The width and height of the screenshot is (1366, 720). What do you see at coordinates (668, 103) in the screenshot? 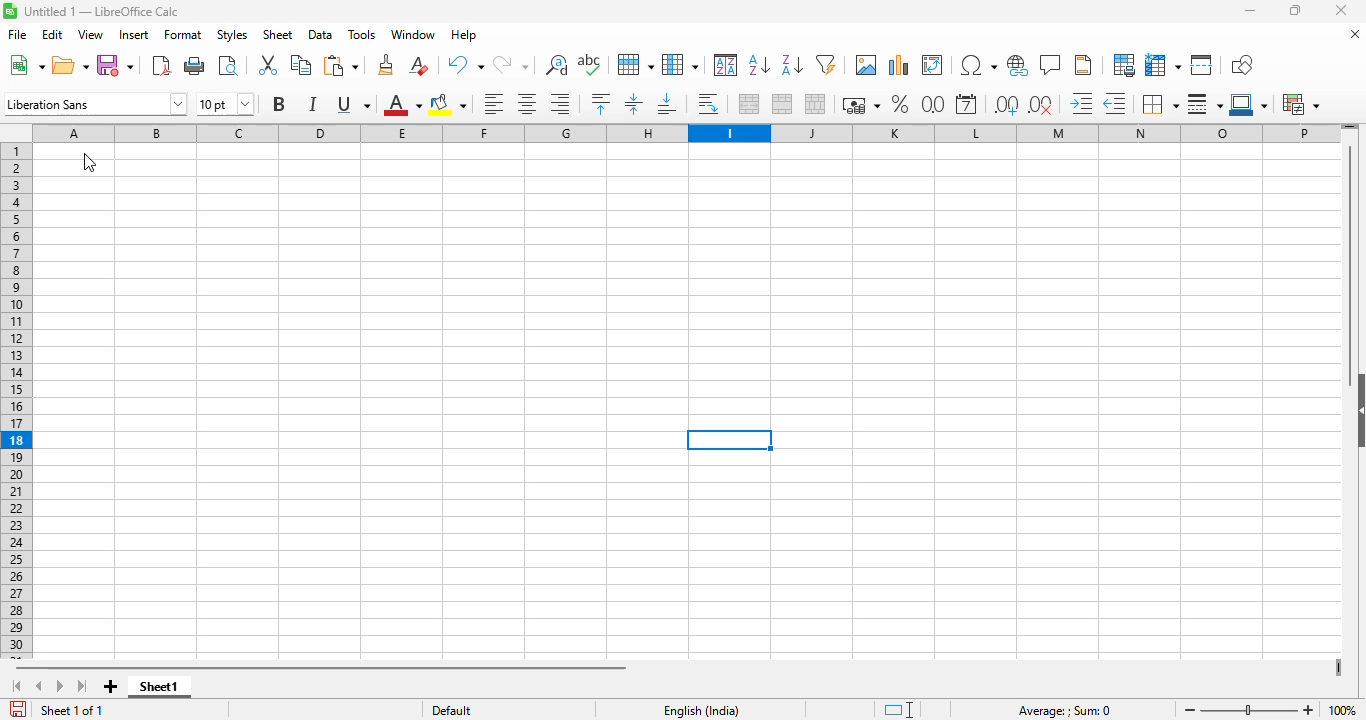
I see `align bottom` at bounding box center [668, 103].